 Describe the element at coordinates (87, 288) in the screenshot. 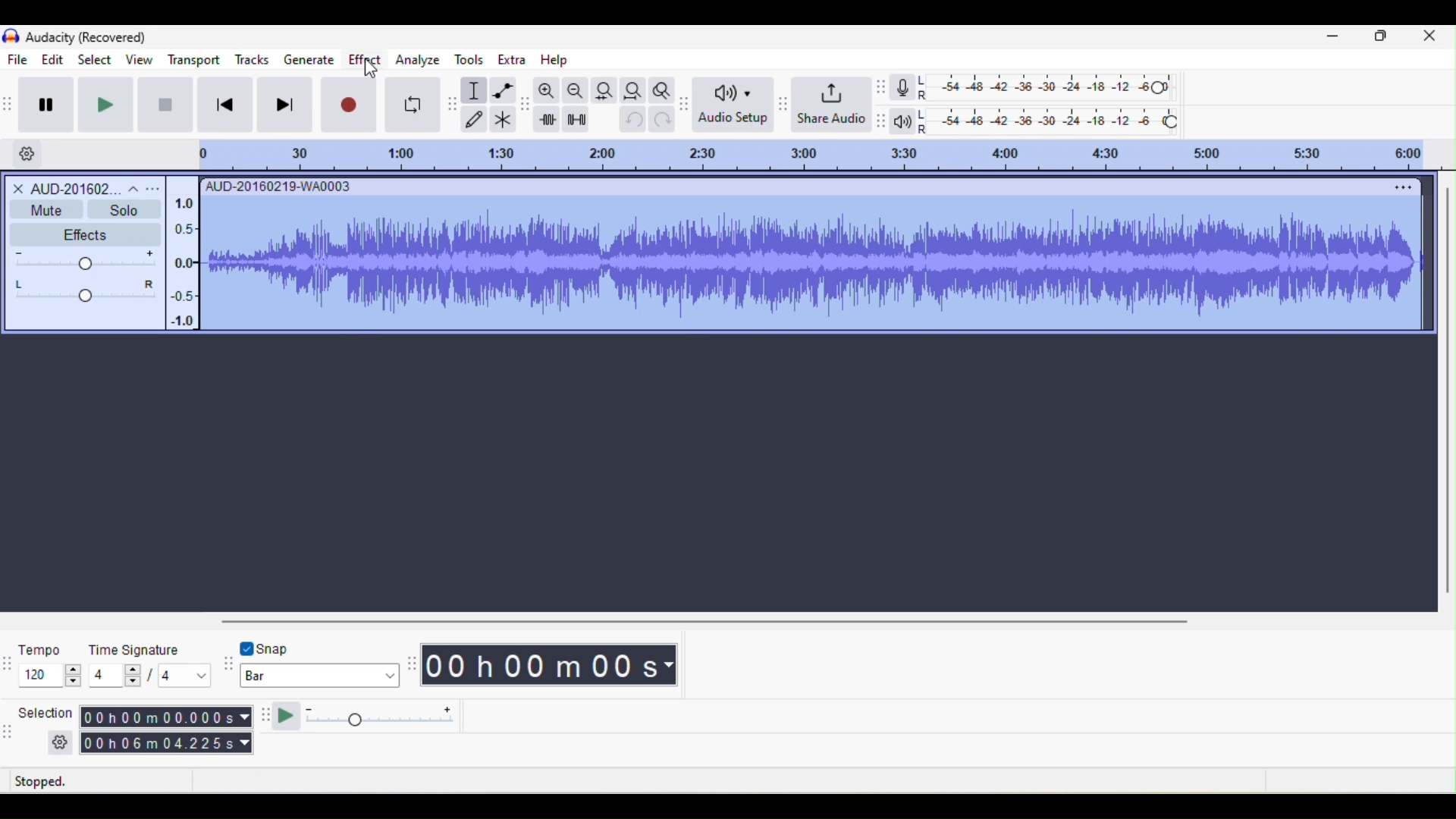

I see `pan: center` at that location.